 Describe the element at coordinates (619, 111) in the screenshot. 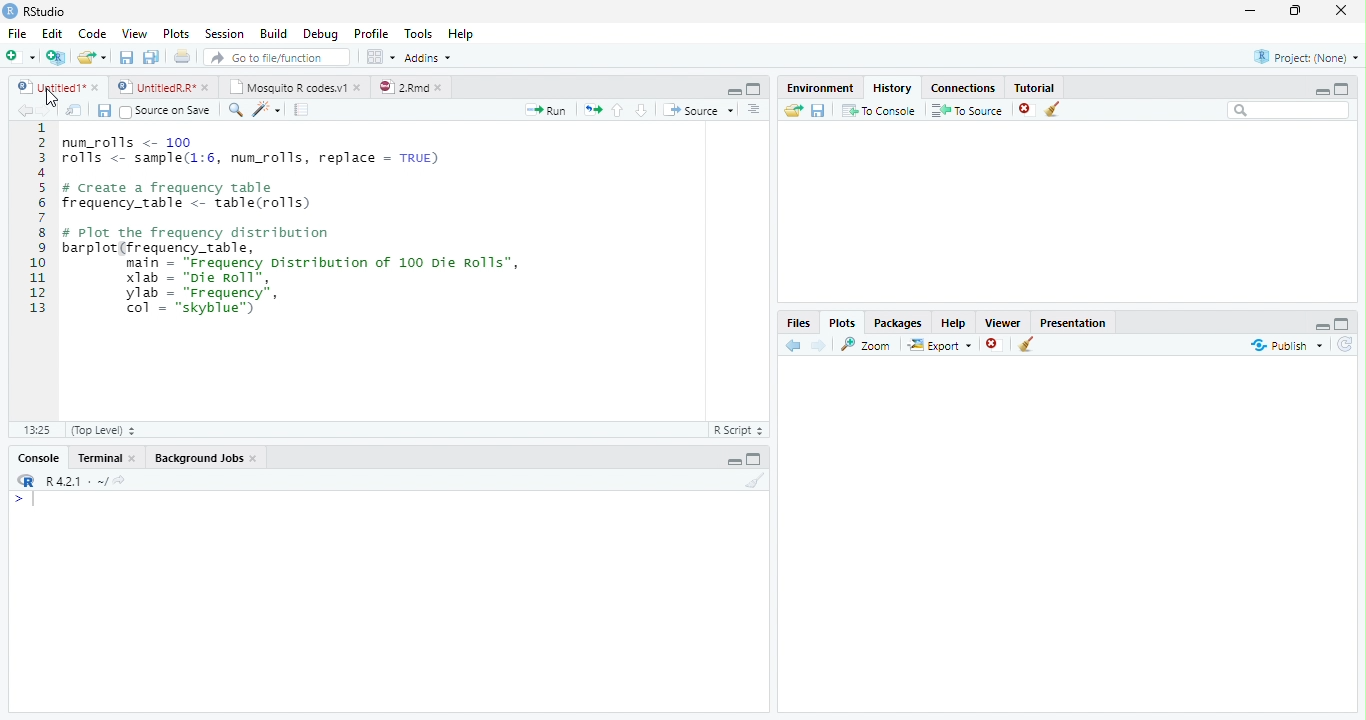

I see `Go to previous section of code` at that location.